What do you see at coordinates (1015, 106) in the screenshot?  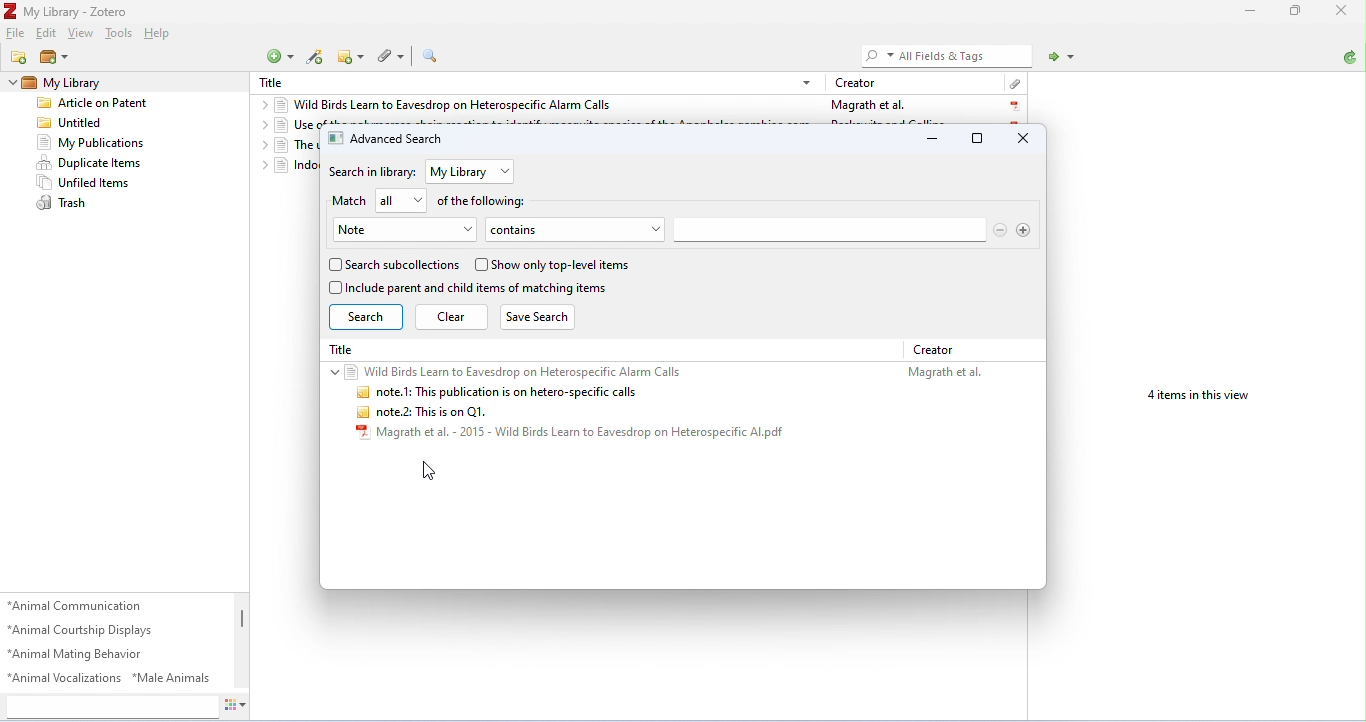 I see `pdf icon` at bounding box center [1015, 106].